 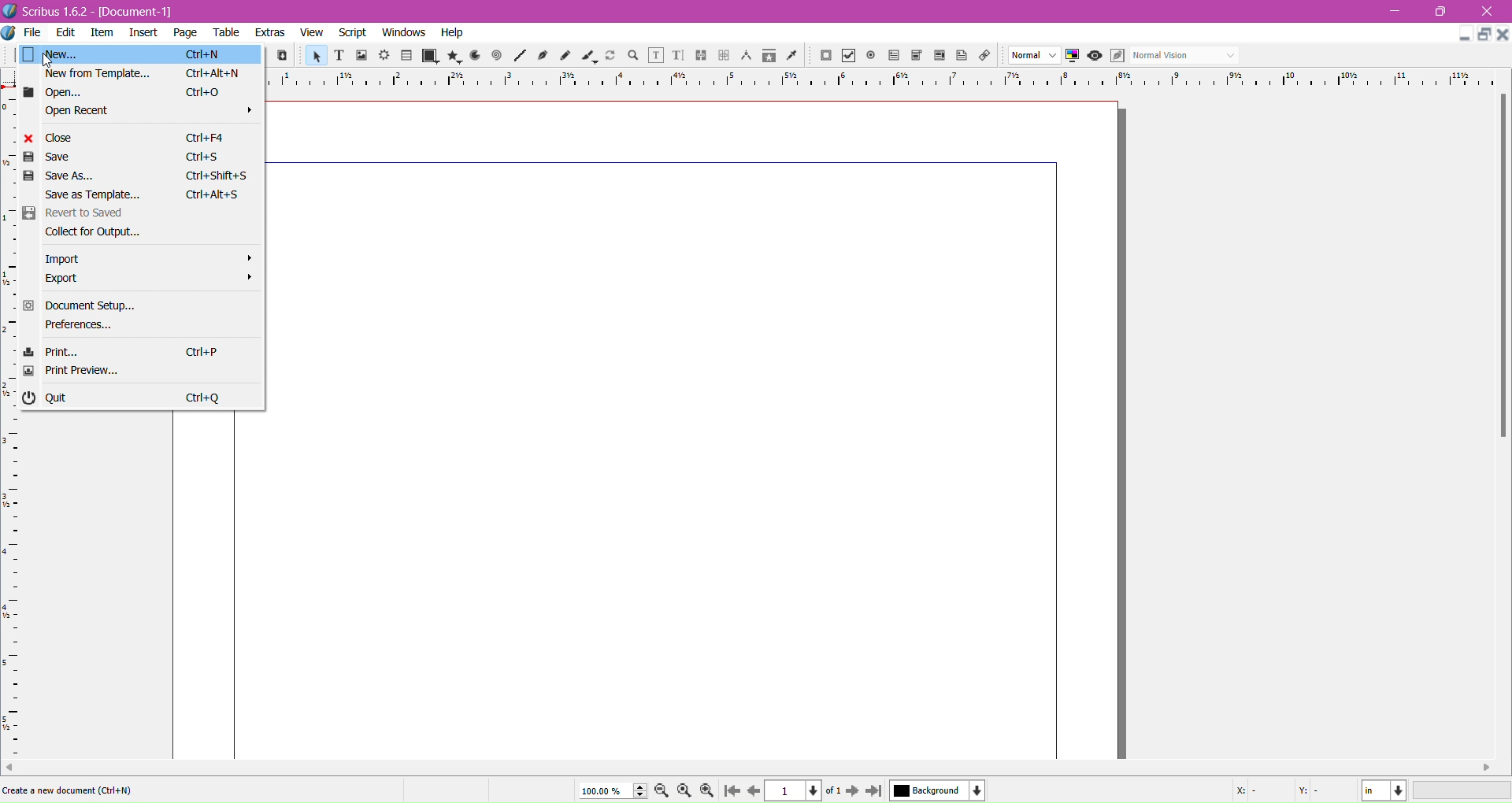 What do you see at coordinates (13, 11) in the screenshot?
I see `scribus logo` at bounding box center [13, 11].